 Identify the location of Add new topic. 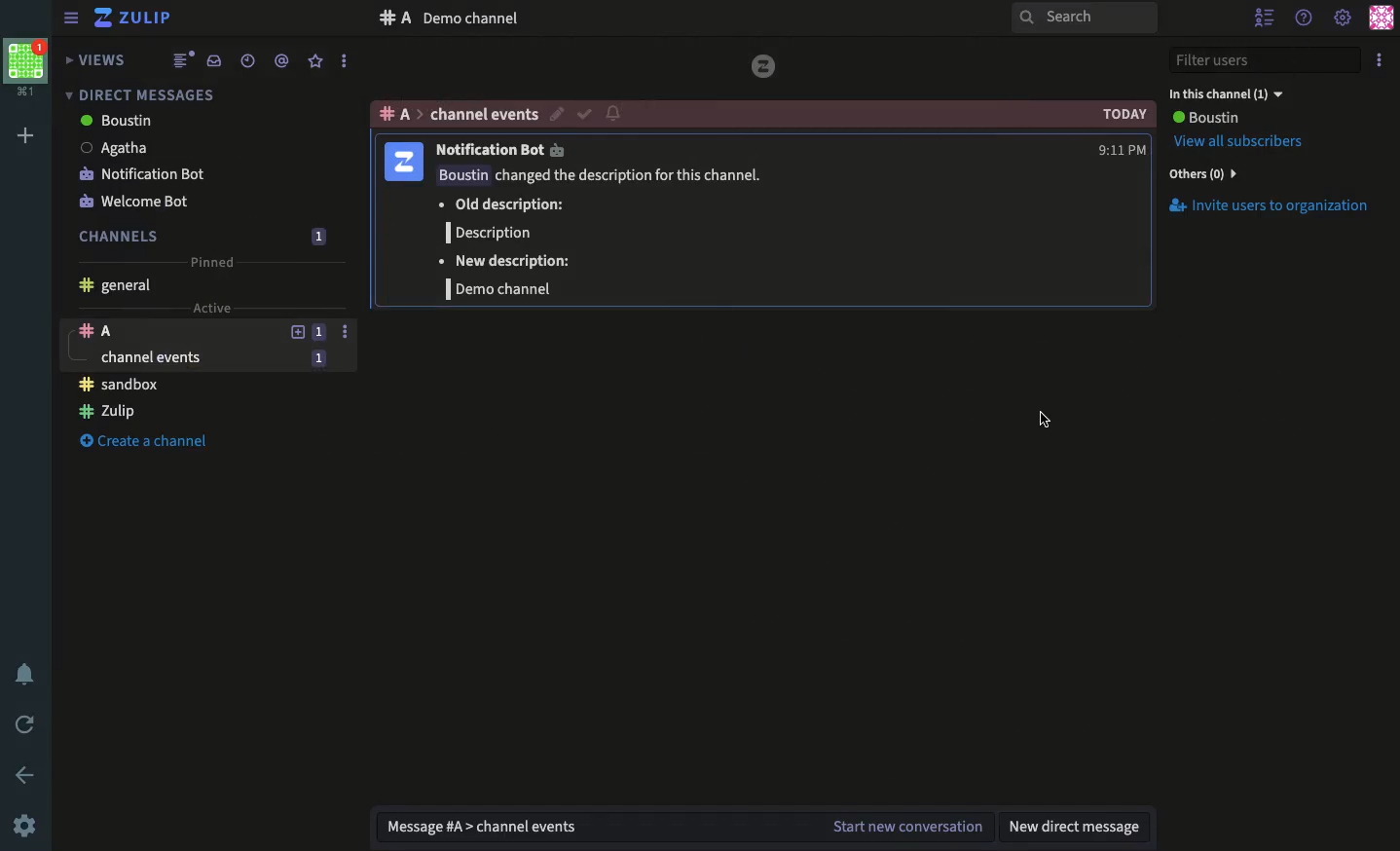
(296, 330).